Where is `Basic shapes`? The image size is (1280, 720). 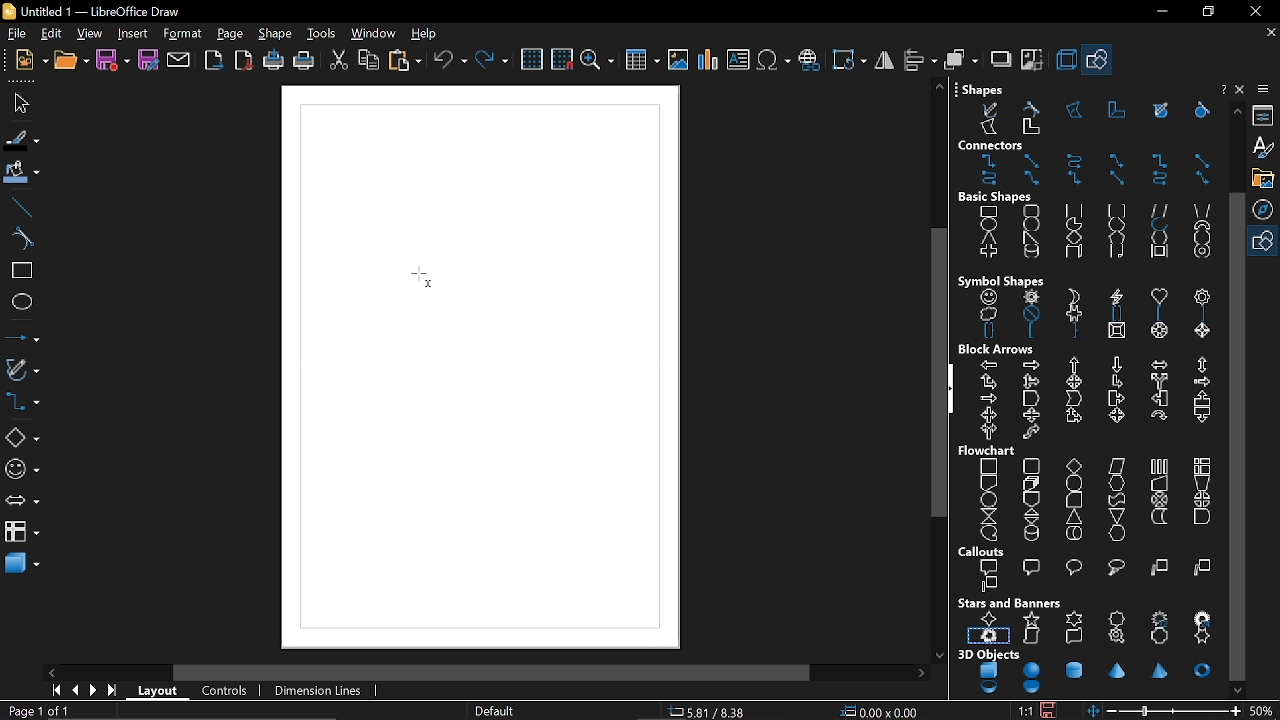
Basic shapes is located at coordinates (1086, 226).